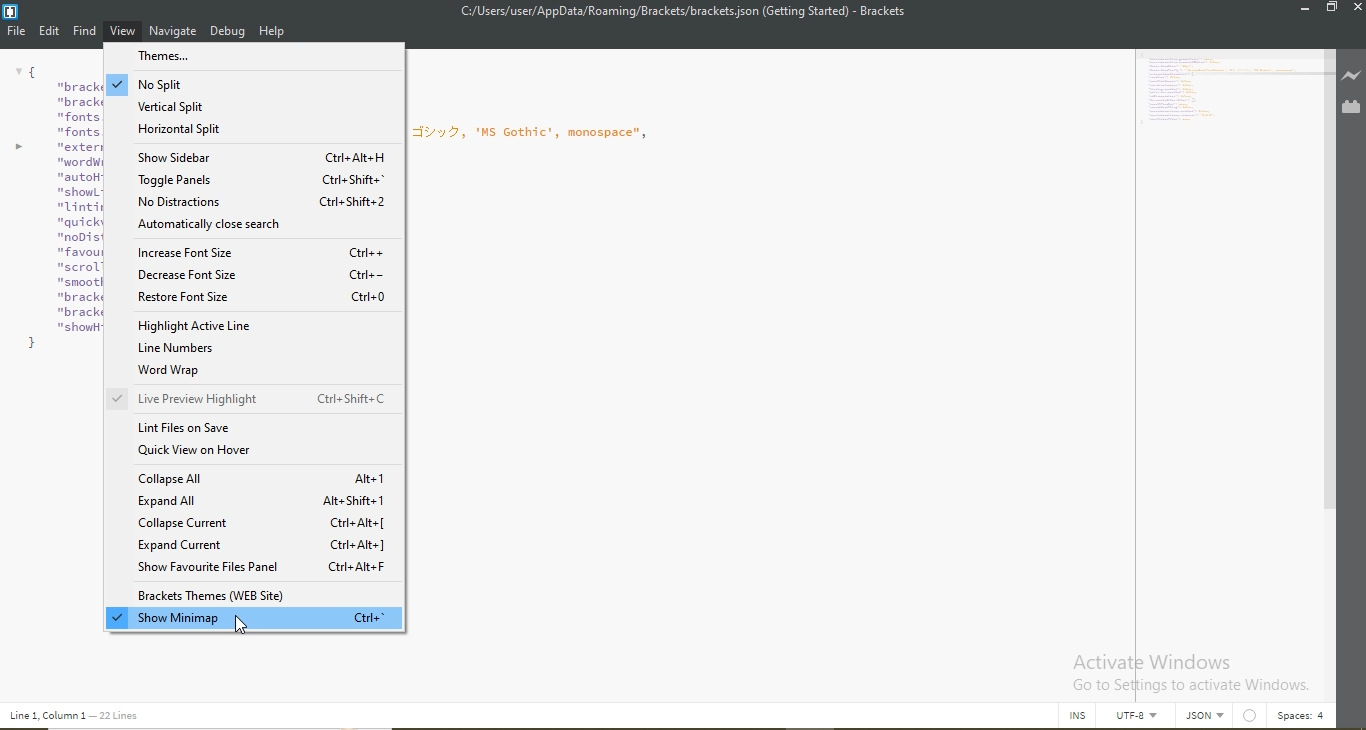 The image size is (1366, 730). What do you see at coordinates (262, 569) in the screenshot?
I see `show favourite files panel` at bounding box center [262, 569].